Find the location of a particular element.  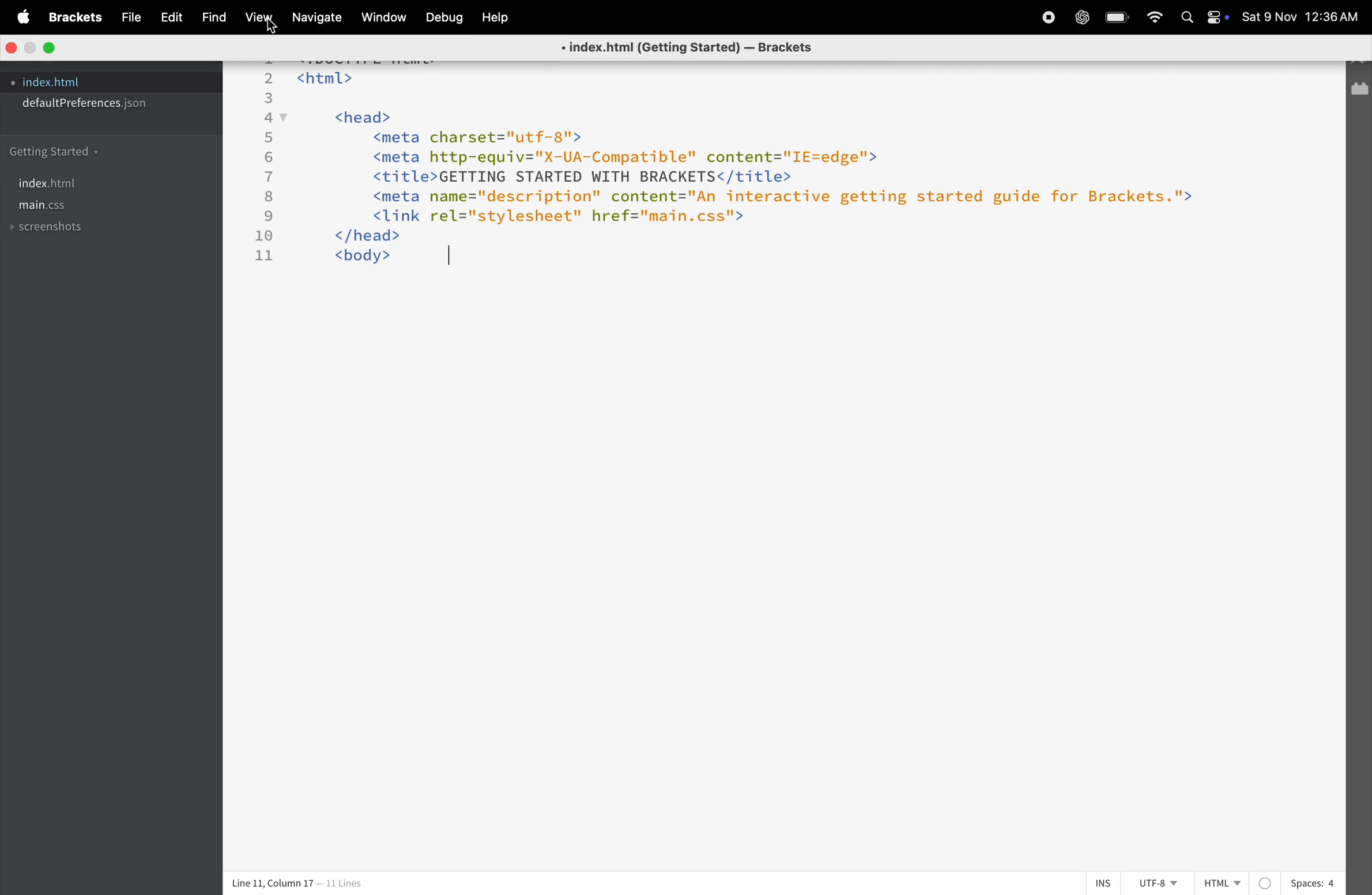

record is located at coordinates (1041, 19).